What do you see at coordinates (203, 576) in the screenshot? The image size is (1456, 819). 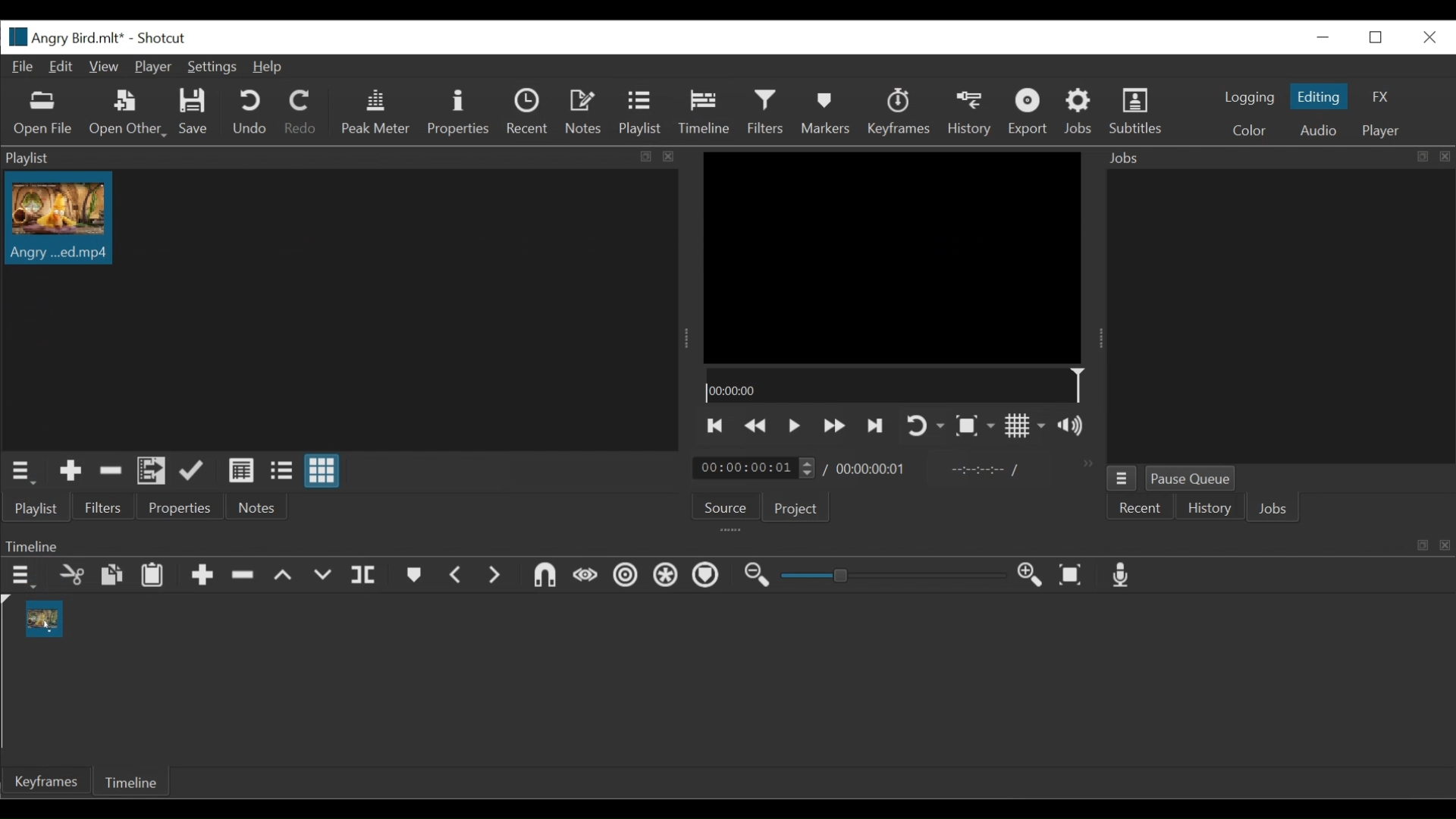 I see `Append` at bounding box center [203, 576].